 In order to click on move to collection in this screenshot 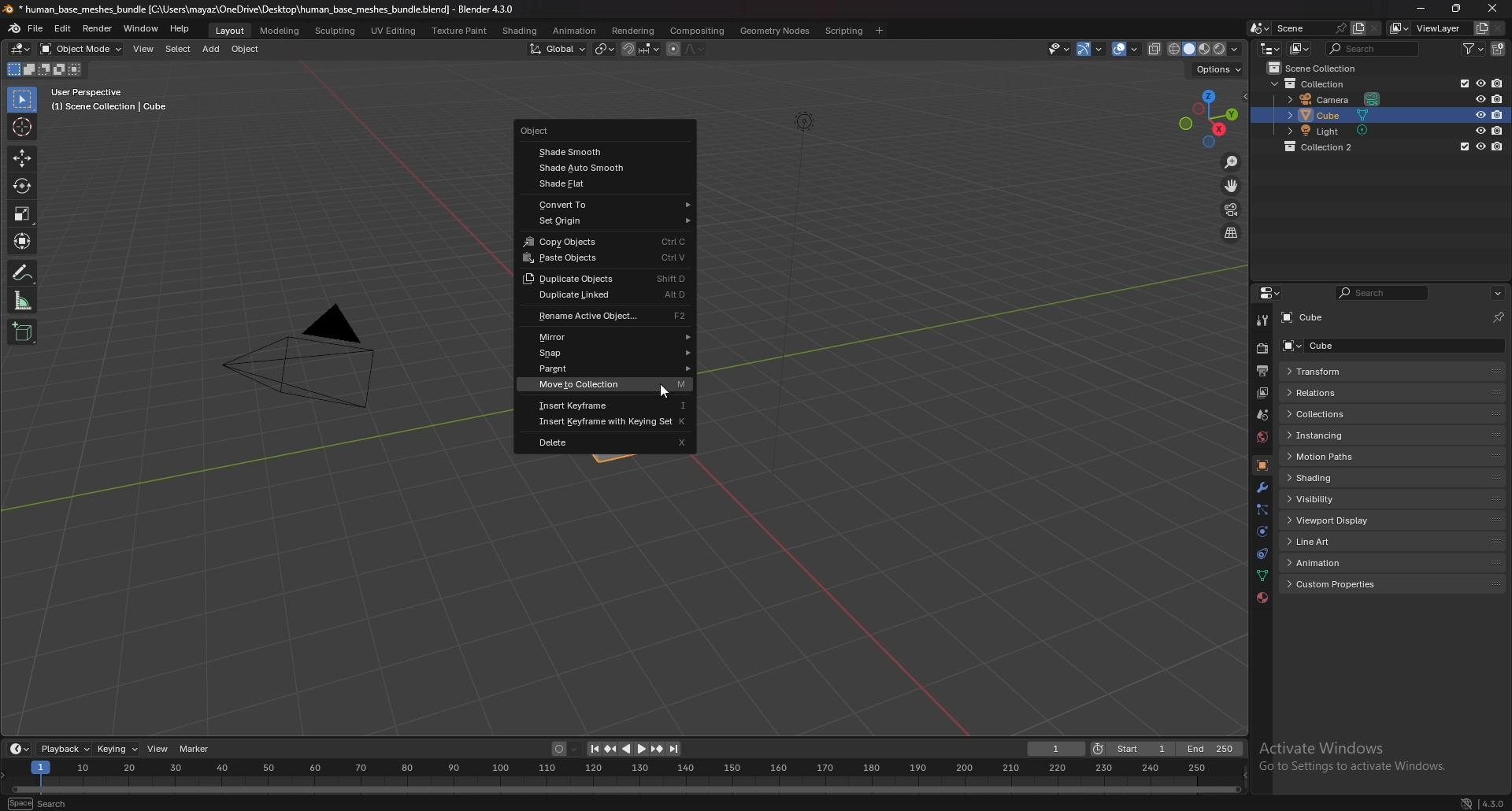, I will do `click(609, 383)`.